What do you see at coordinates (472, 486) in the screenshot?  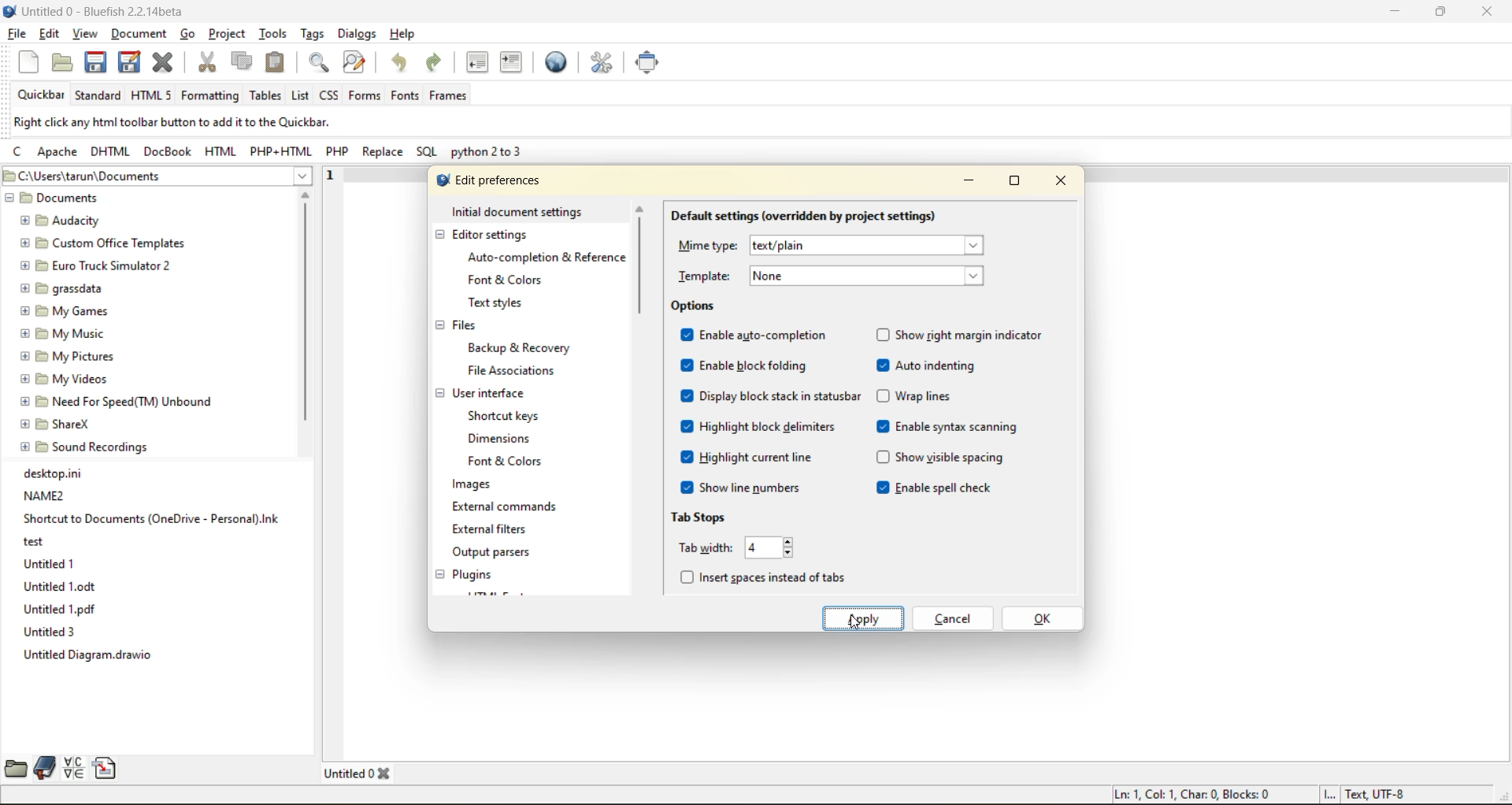 I see `images` at bounding box center [472, 486].